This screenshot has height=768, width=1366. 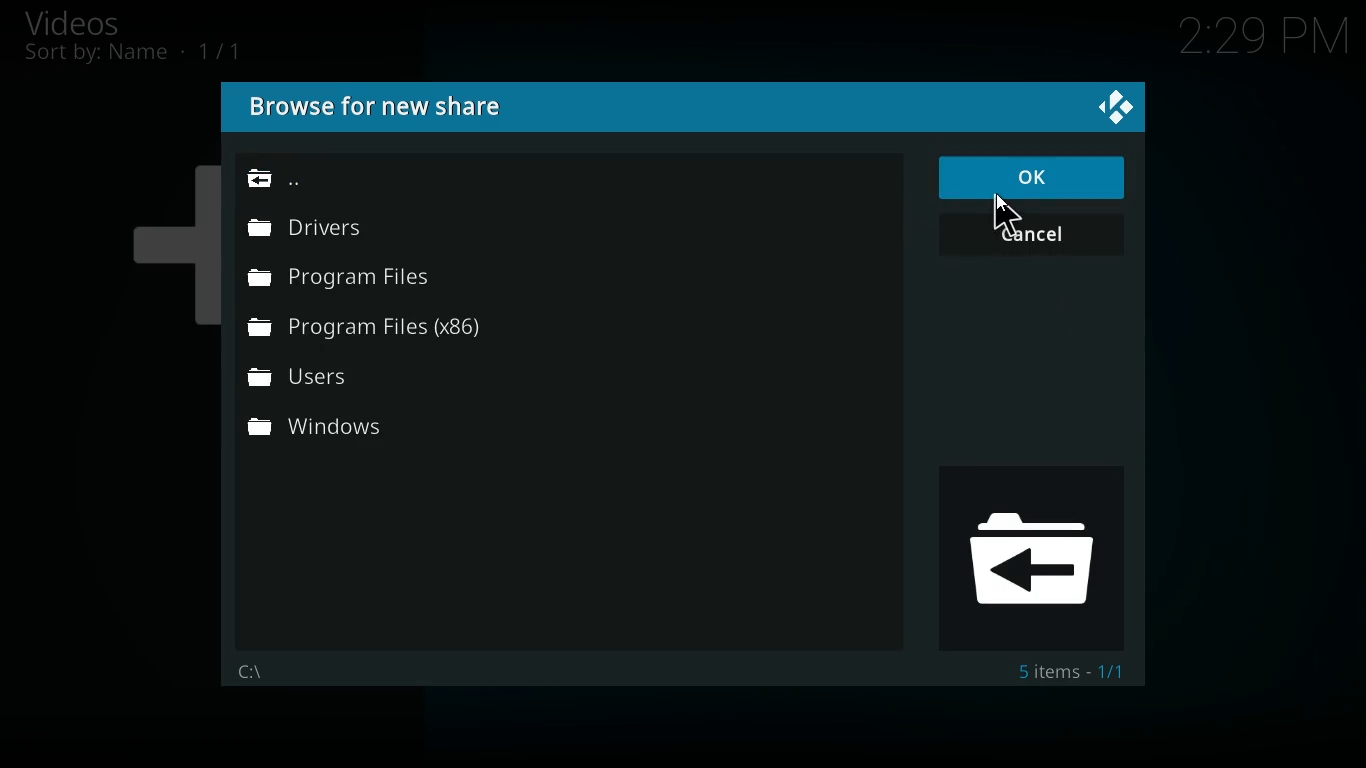 I want to click on 2:29 PM, so click(x=1264, y=41).